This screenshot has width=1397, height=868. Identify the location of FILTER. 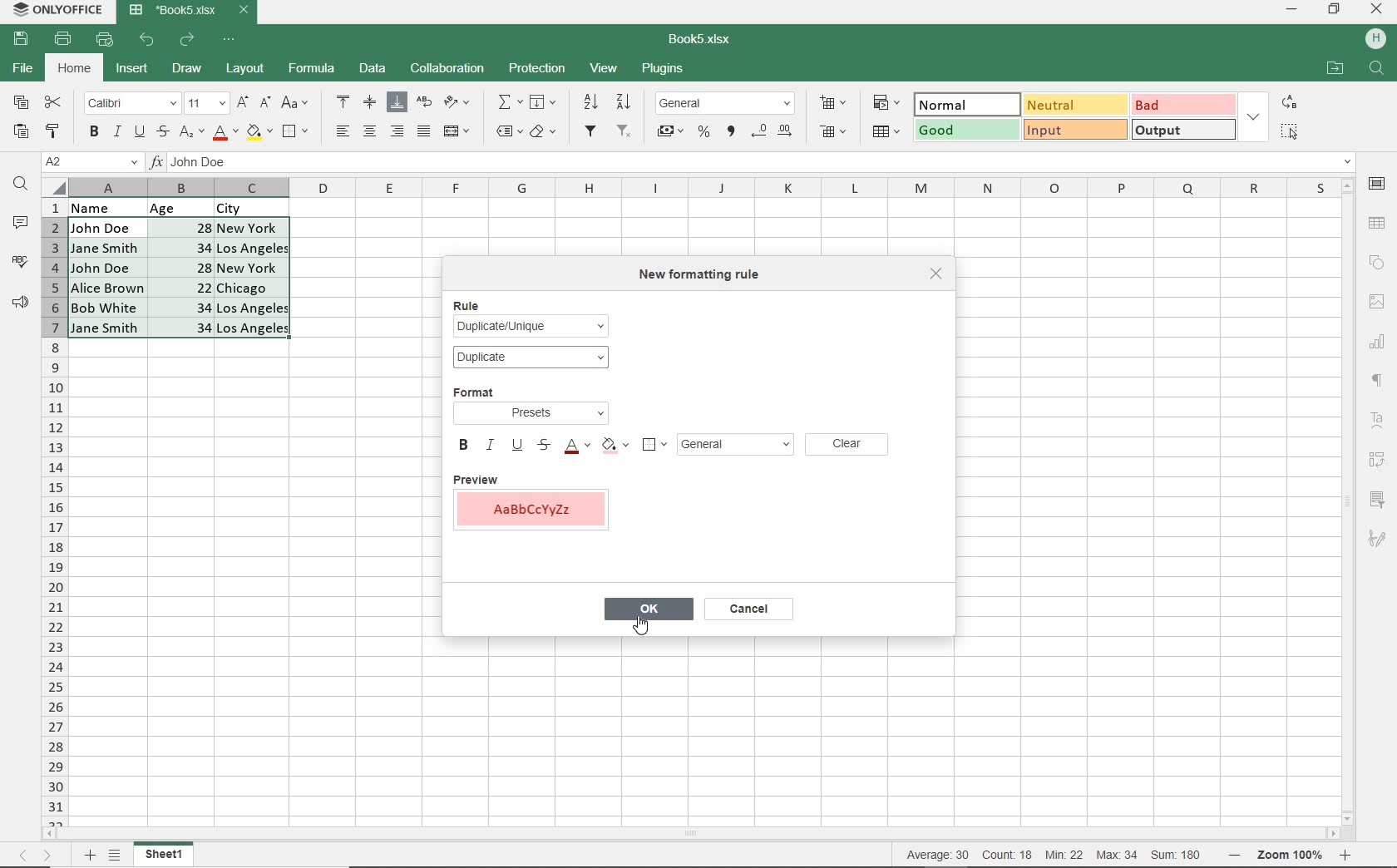
(592, 131).